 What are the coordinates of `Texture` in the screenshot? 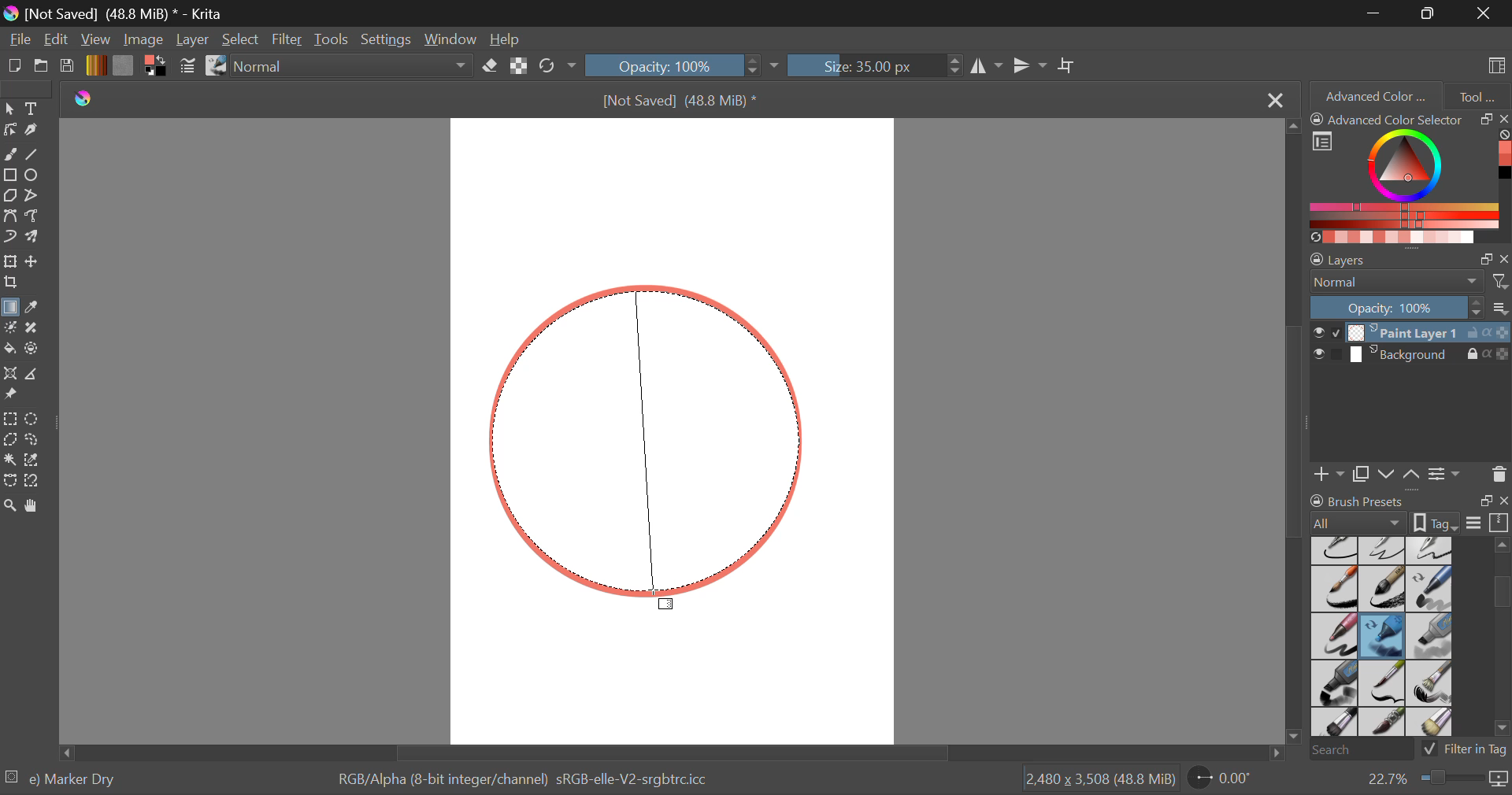 It's located at (123, 65).